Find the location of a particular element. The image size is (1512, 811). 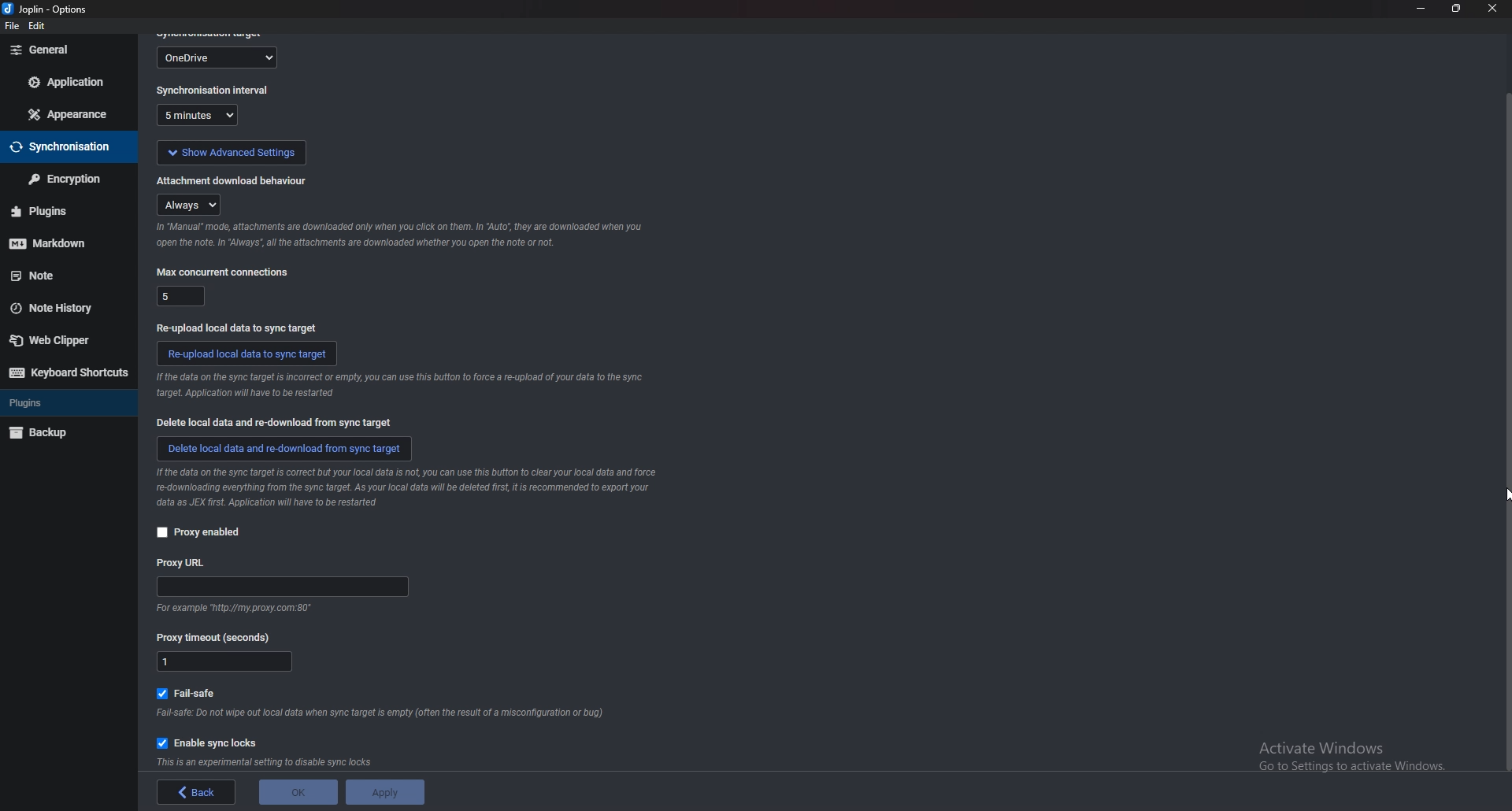

info is located at coordinates (383, 713).